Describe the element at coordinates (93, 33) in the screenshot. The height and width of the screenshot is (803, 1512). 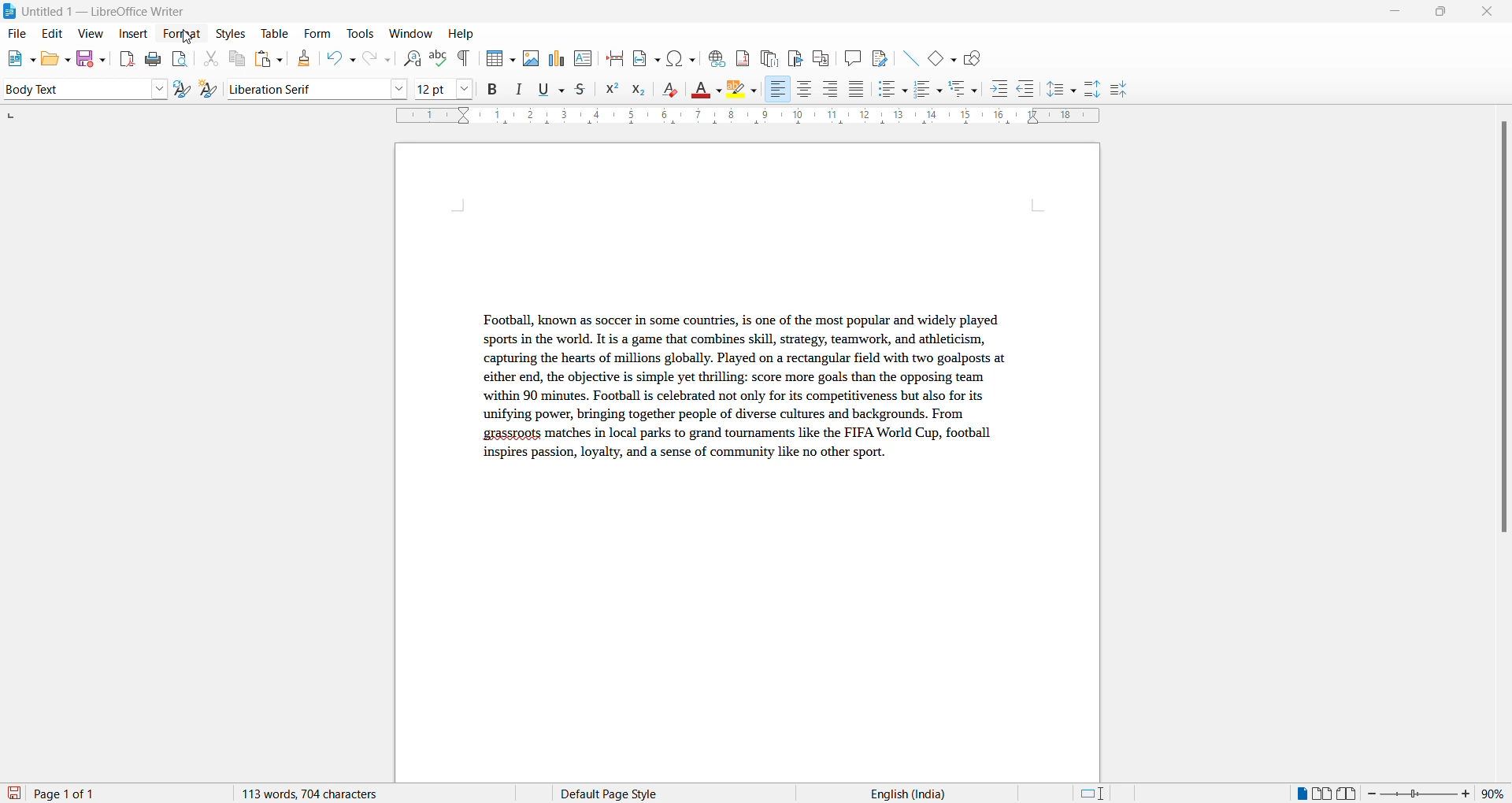
I see `view` at that location.